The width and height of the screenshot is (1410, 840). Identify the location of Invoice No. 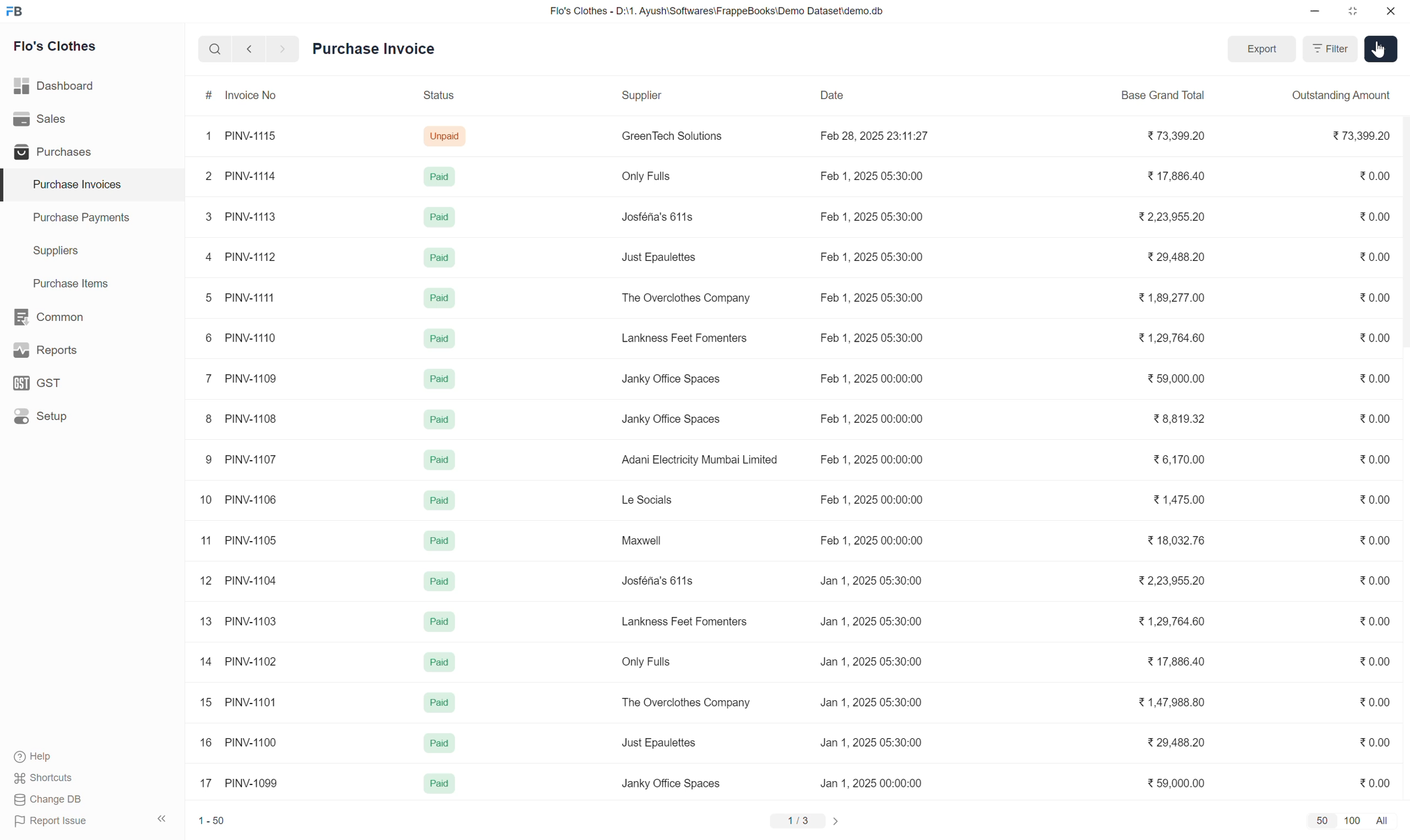
(254, 96).